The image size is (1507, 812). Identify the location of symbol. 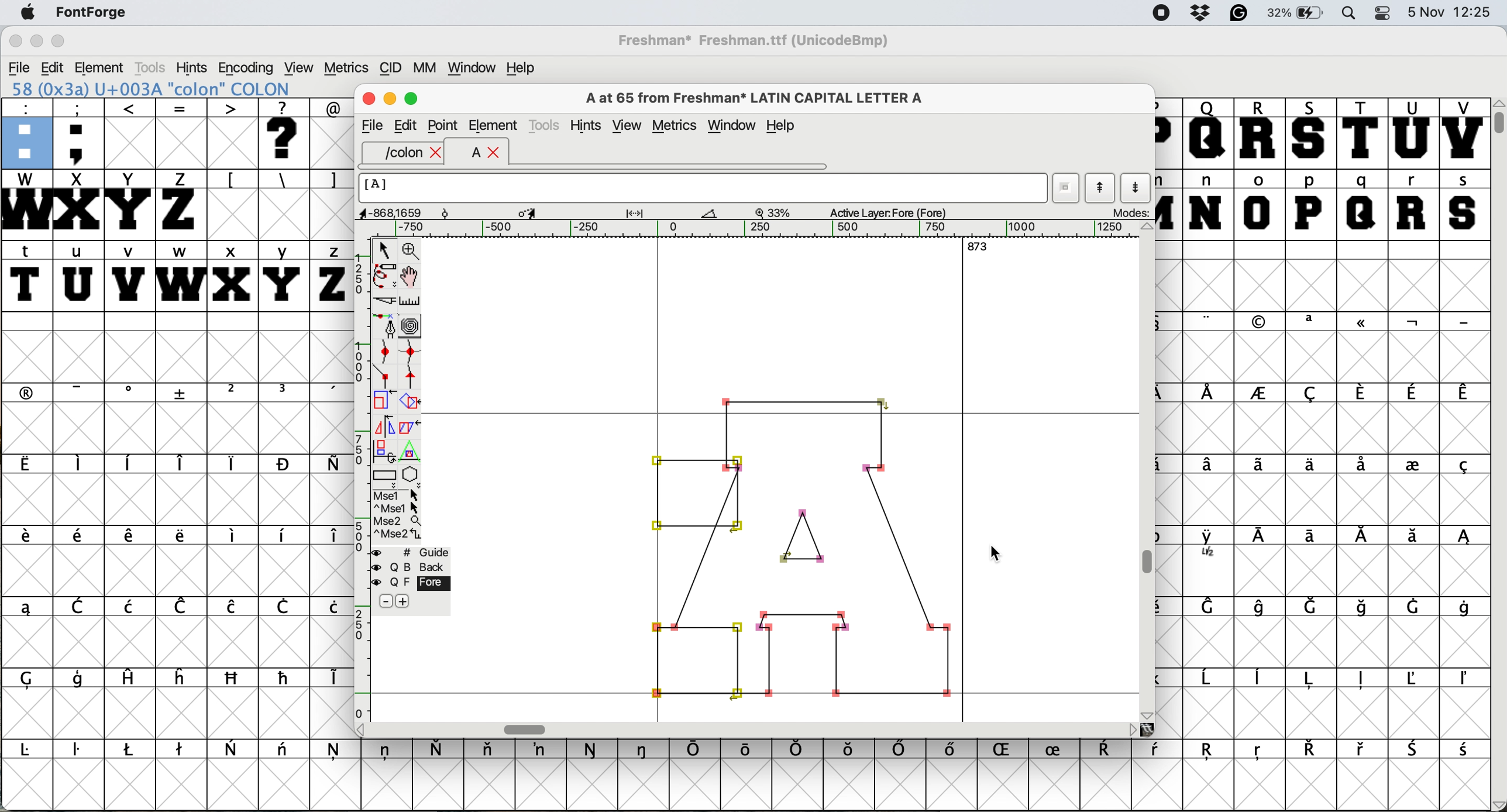
(180, 536).